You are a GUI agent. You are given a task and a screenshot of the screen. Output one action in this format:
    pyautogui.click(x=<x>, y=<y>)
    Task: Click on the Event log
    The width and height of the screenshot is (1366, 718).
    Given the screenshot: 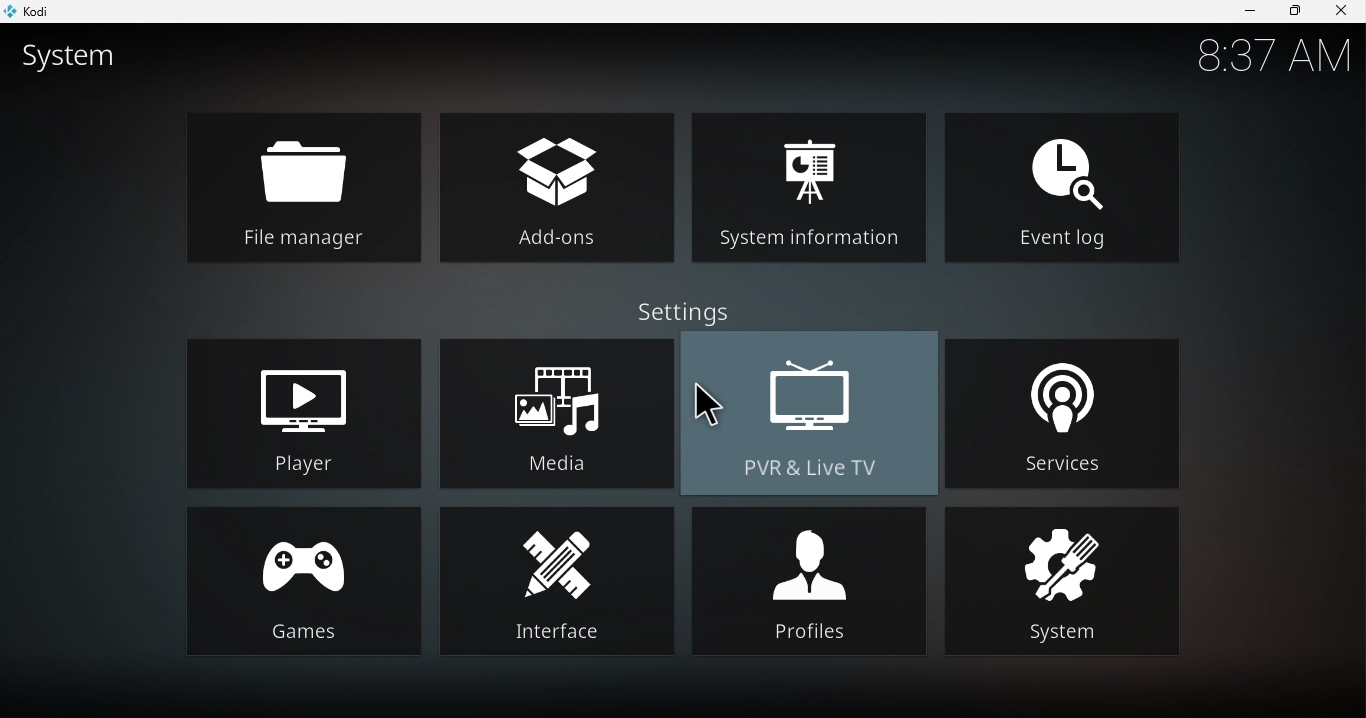 What is the action you would take?
    pyautogui.click(x=1061, y=187)
    